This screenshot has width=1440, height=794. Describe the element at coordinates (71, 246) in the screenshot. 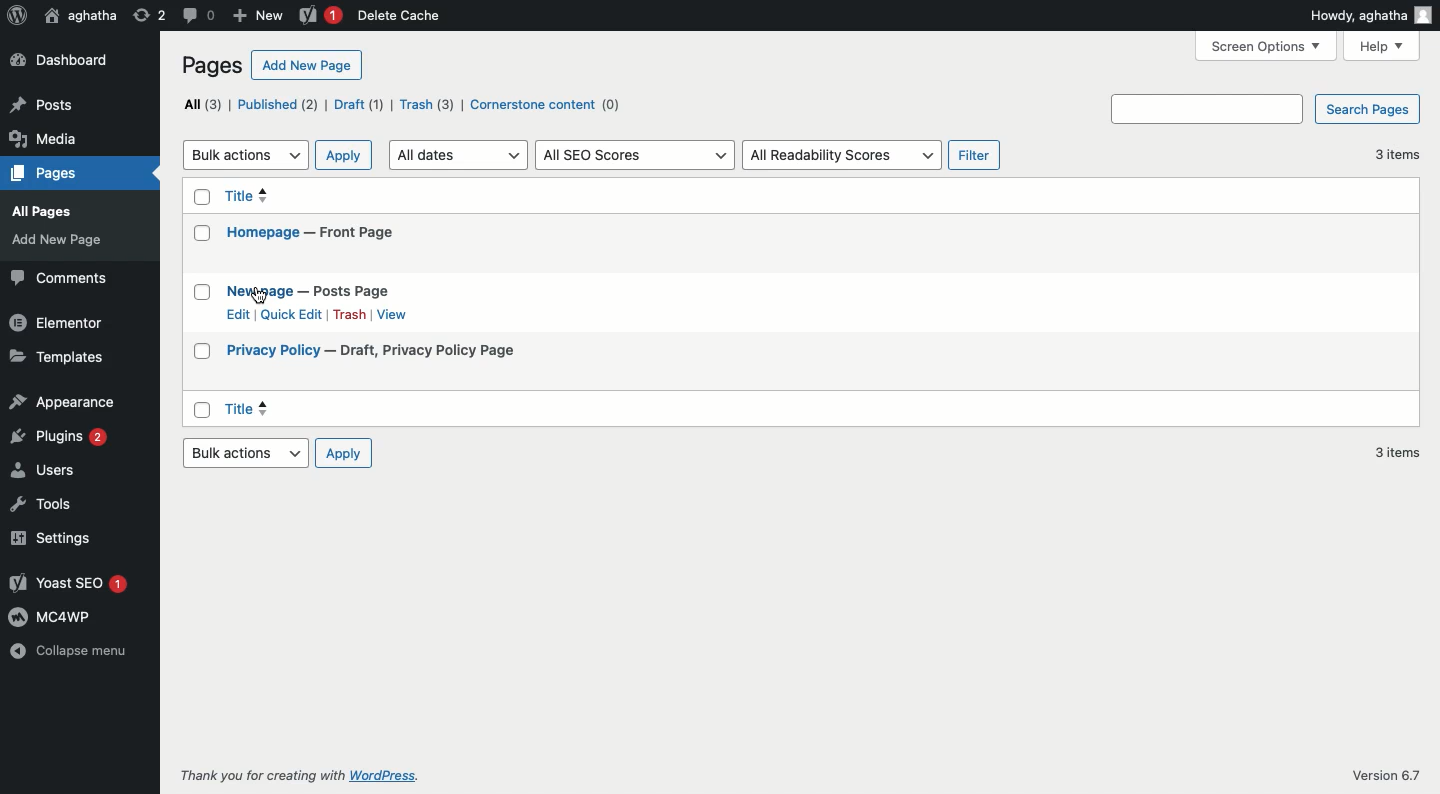

I see `Pages` at that location.